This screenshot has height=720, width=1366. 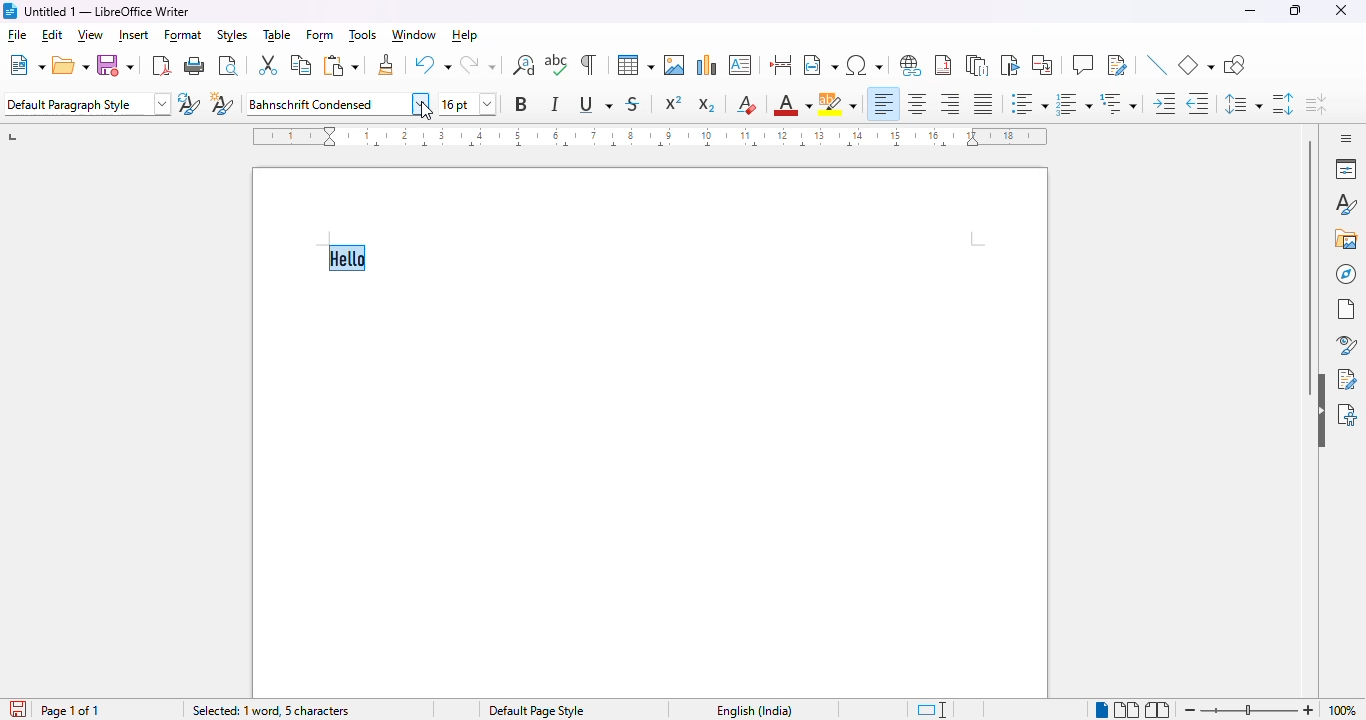 What do you see at coordinates (557, 103) in the screenshot?
I see `italic` at bounding box center [557, 103].